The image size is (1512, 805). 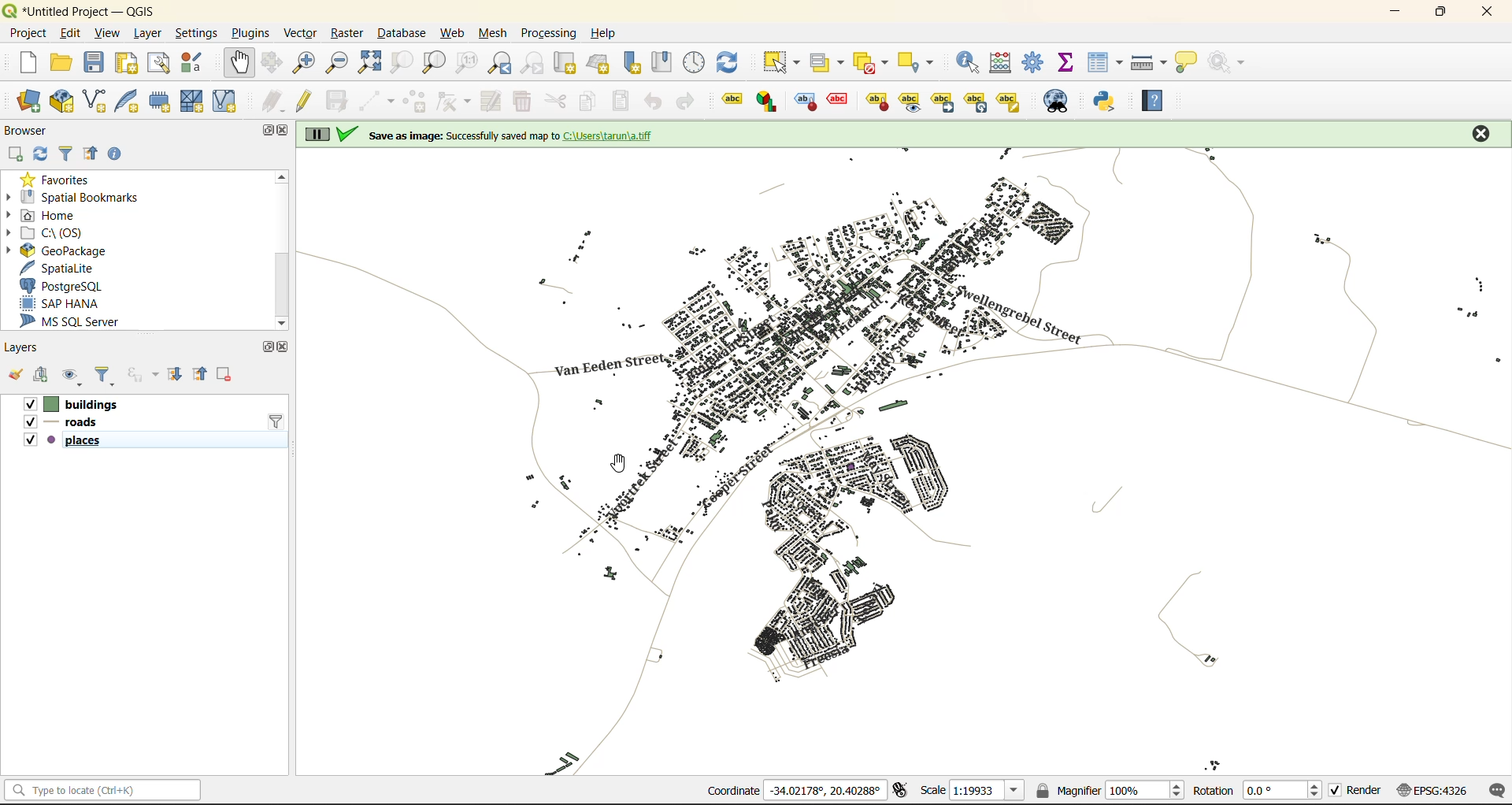 What do you see at coordinates (968, 791) in the screenshot?
I see `scale` at bounding box center [968, 791].